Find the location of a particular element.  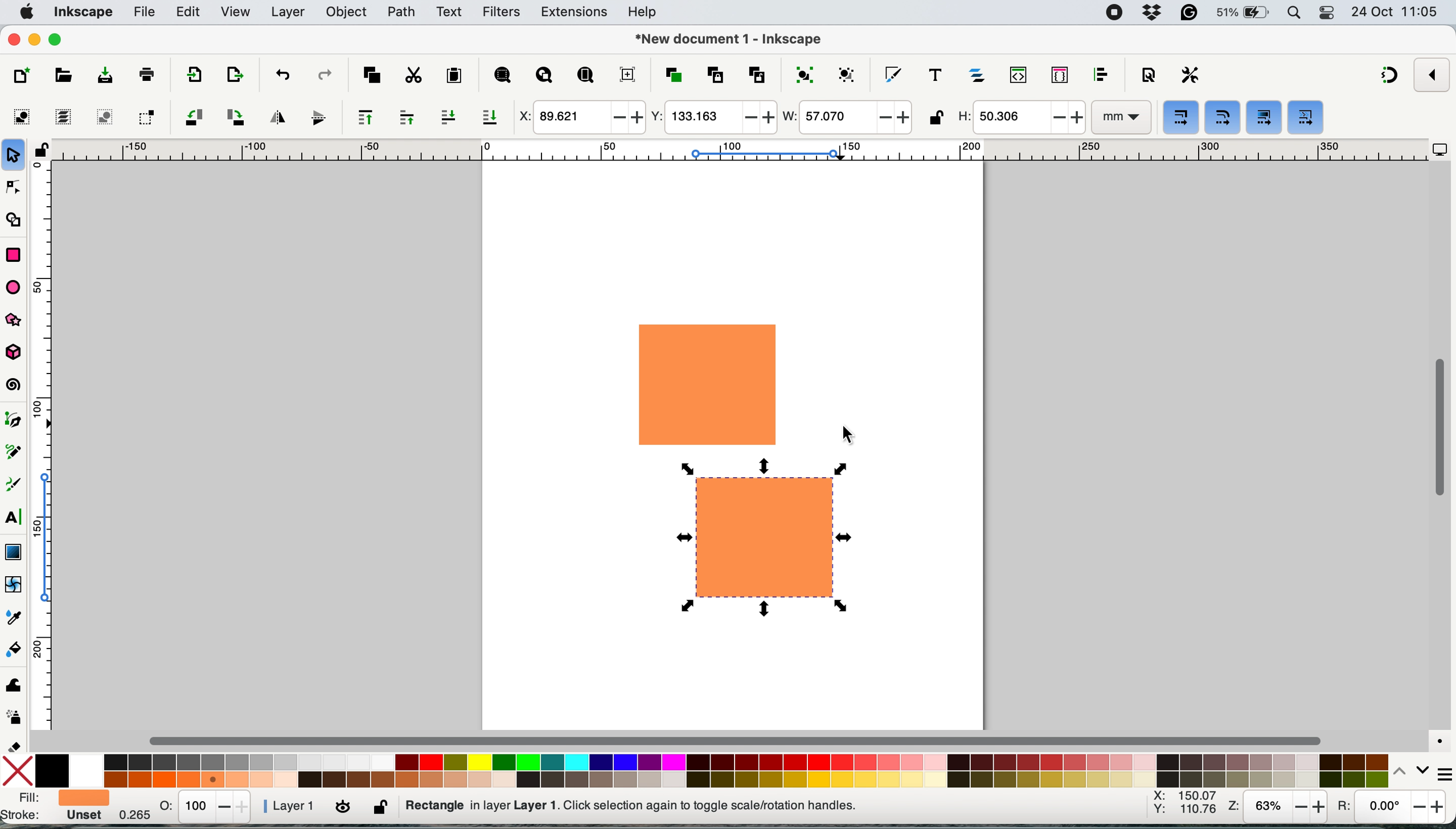

enable snapping is located at coordinates (1433, 74).